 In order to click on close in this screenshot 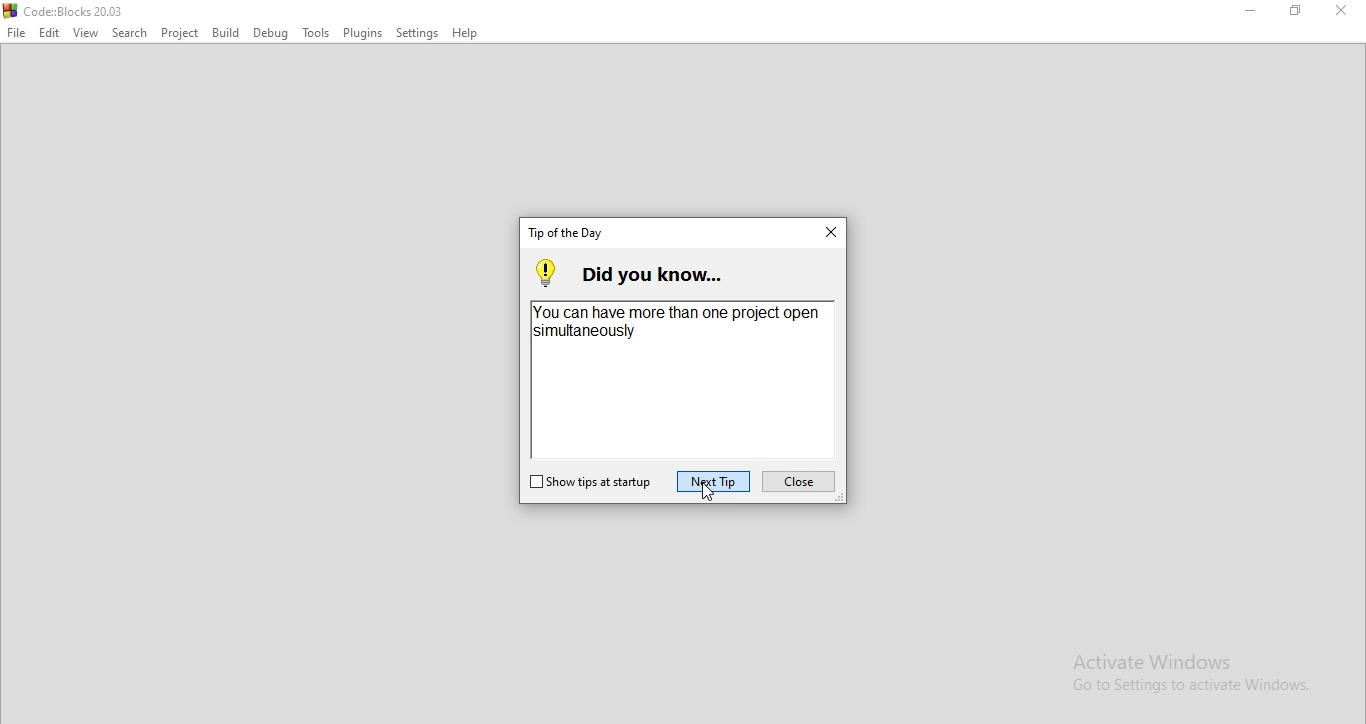, I will do `click(826, 233)`.